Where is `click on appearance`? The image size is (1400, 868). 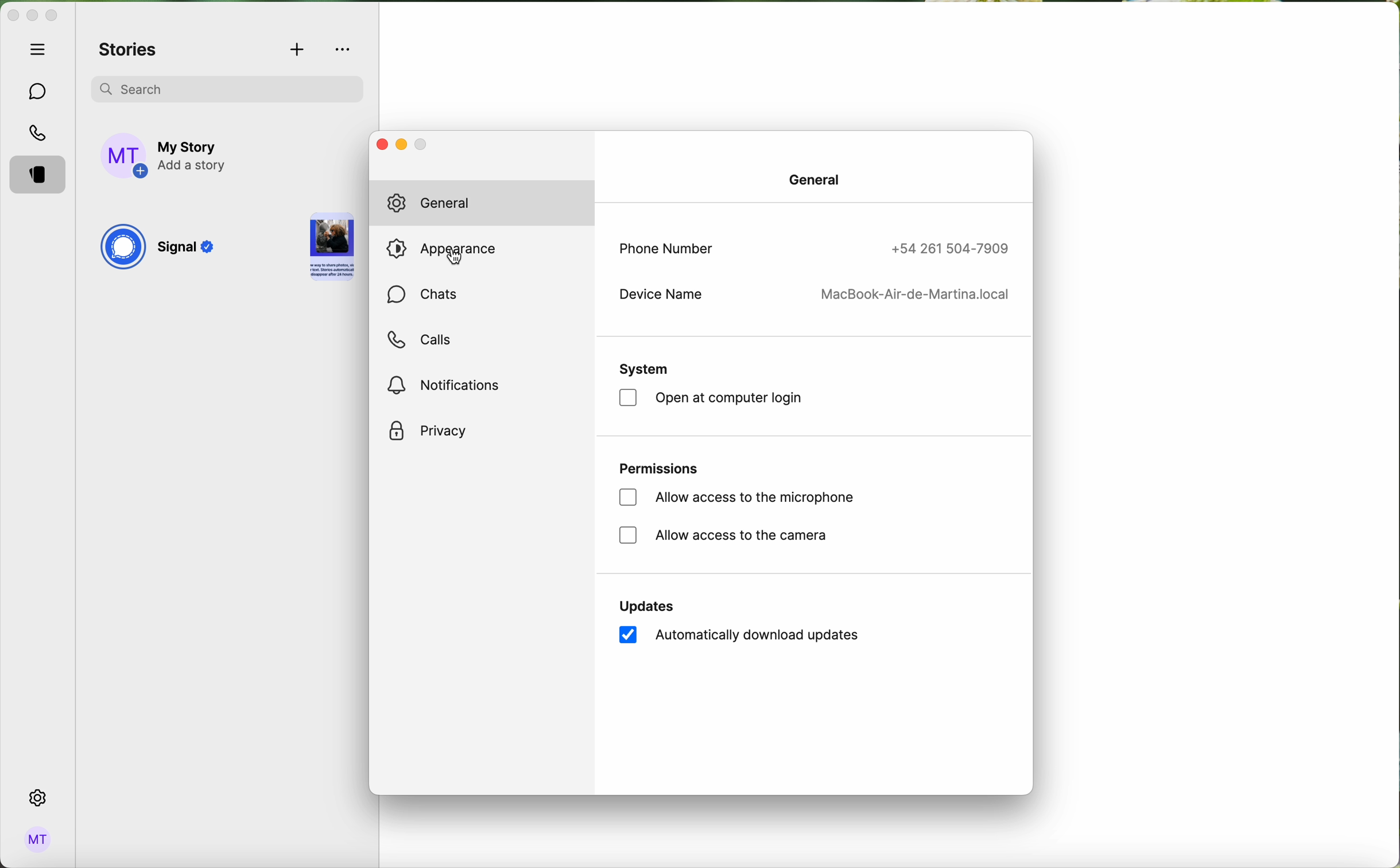 click on appearance is located at coordinates (444, 253).